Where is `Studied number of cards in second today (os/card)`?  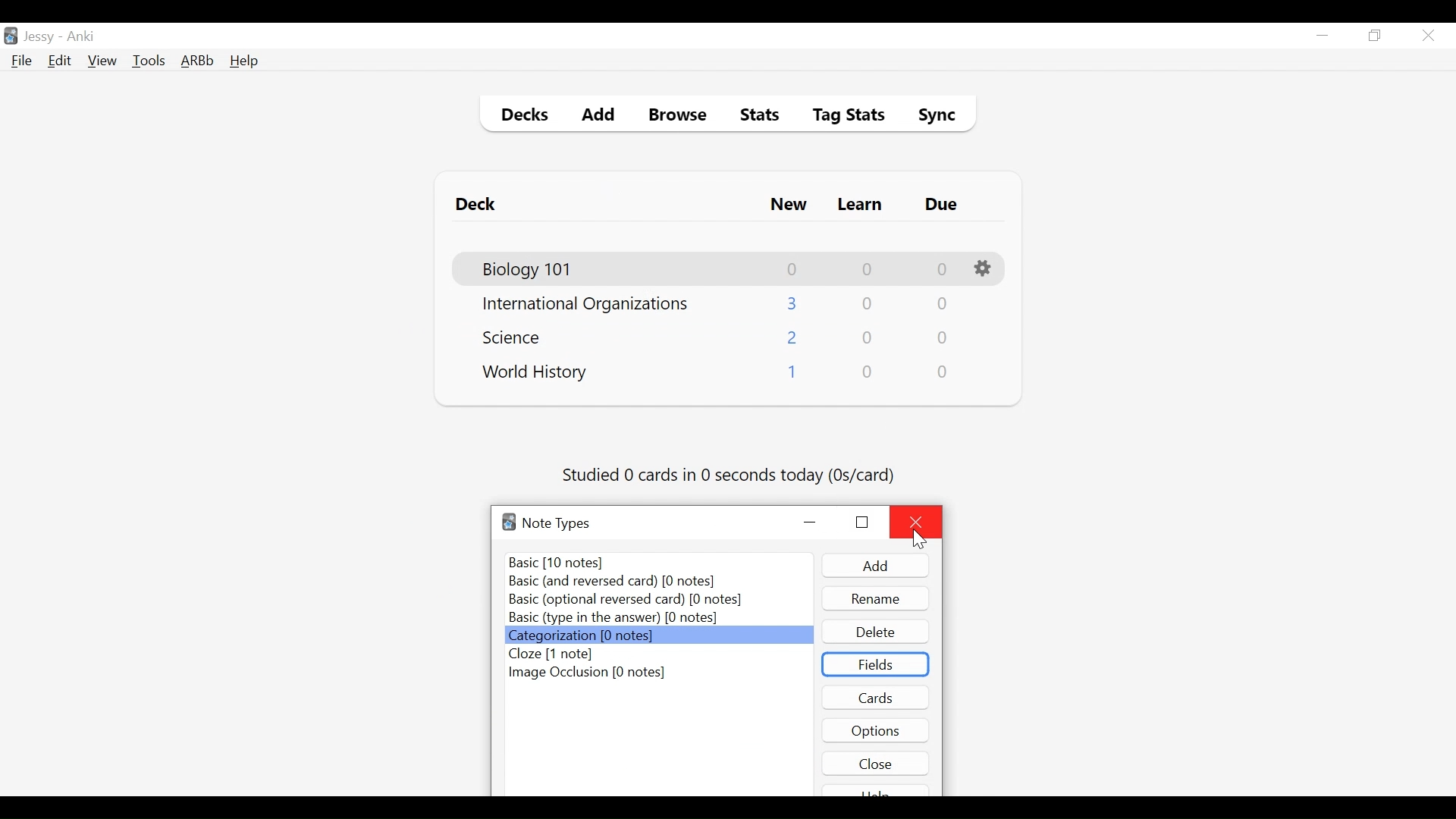
Studied number of cards in second today (os/card) is located at coordinates (730, 476).